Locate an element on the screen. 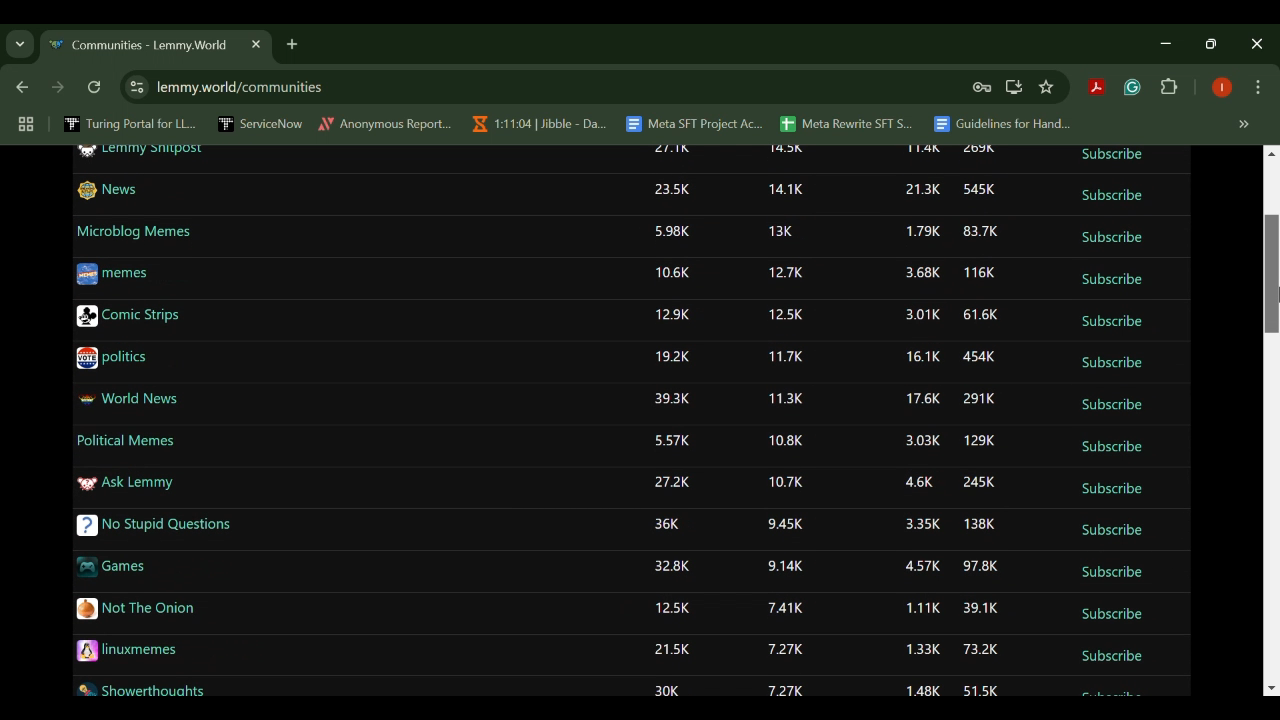  Close Tab is located at coordinates (254, 44).